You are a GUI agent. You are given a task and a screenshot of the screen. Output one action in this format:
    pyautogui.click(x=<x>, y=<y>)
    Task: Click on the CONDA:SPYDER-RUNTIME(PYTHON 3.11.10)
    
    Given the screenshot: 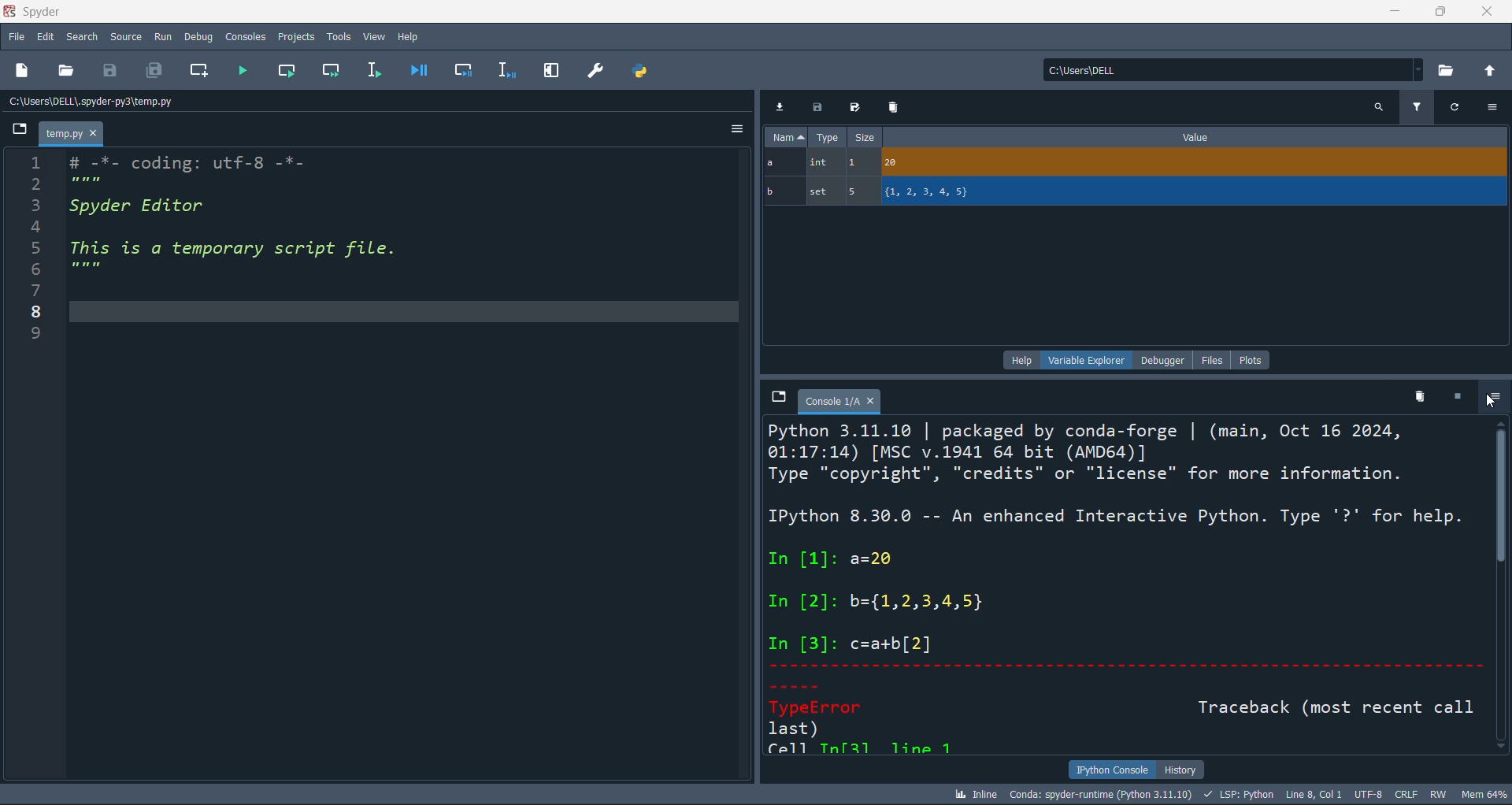 What is the action you would take?
    pyautogui.click(x=1099, y=793)
    